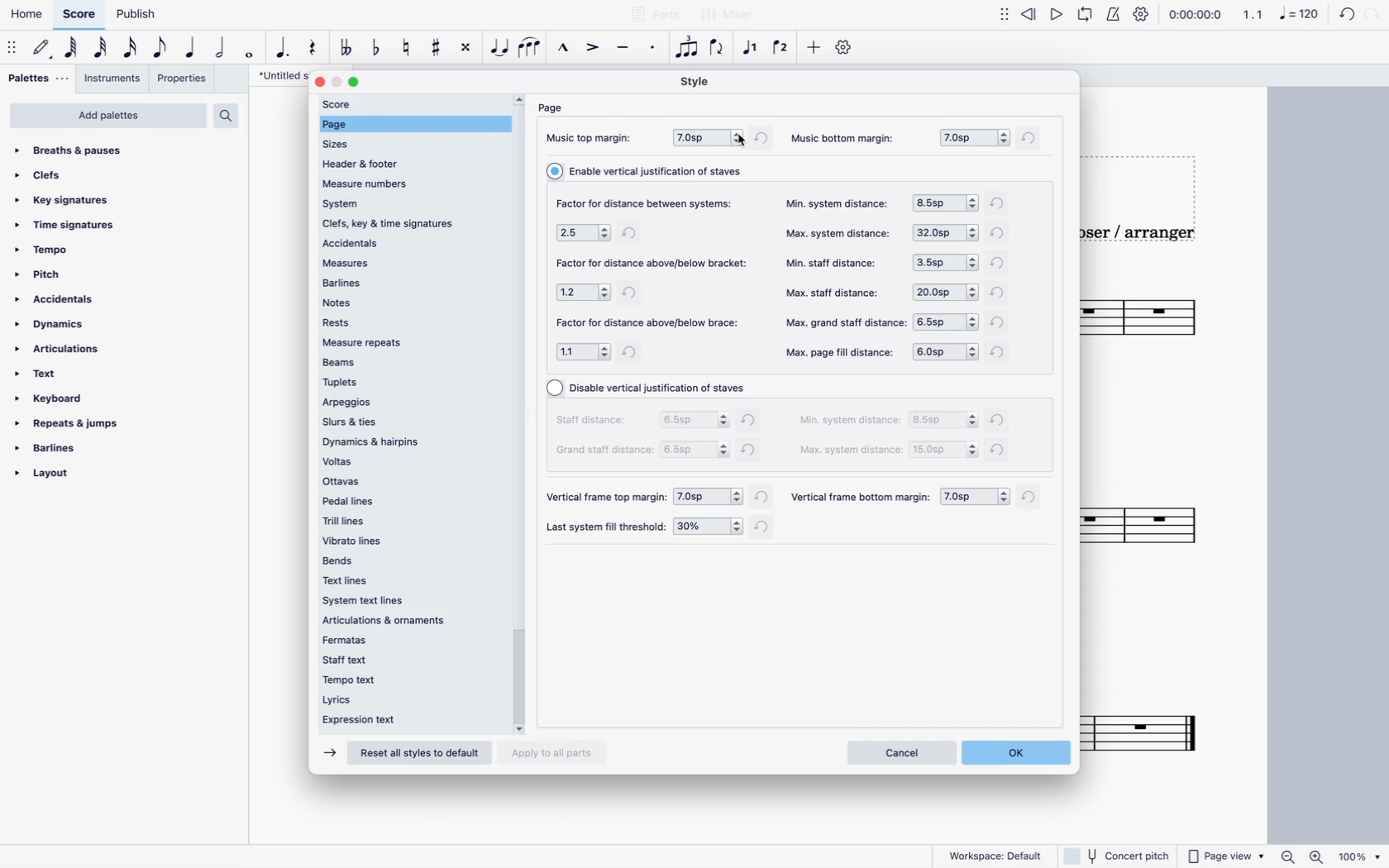 The height and width of the screenshot is (868, 1389). I want to click on staff distance, so click(597, 423).